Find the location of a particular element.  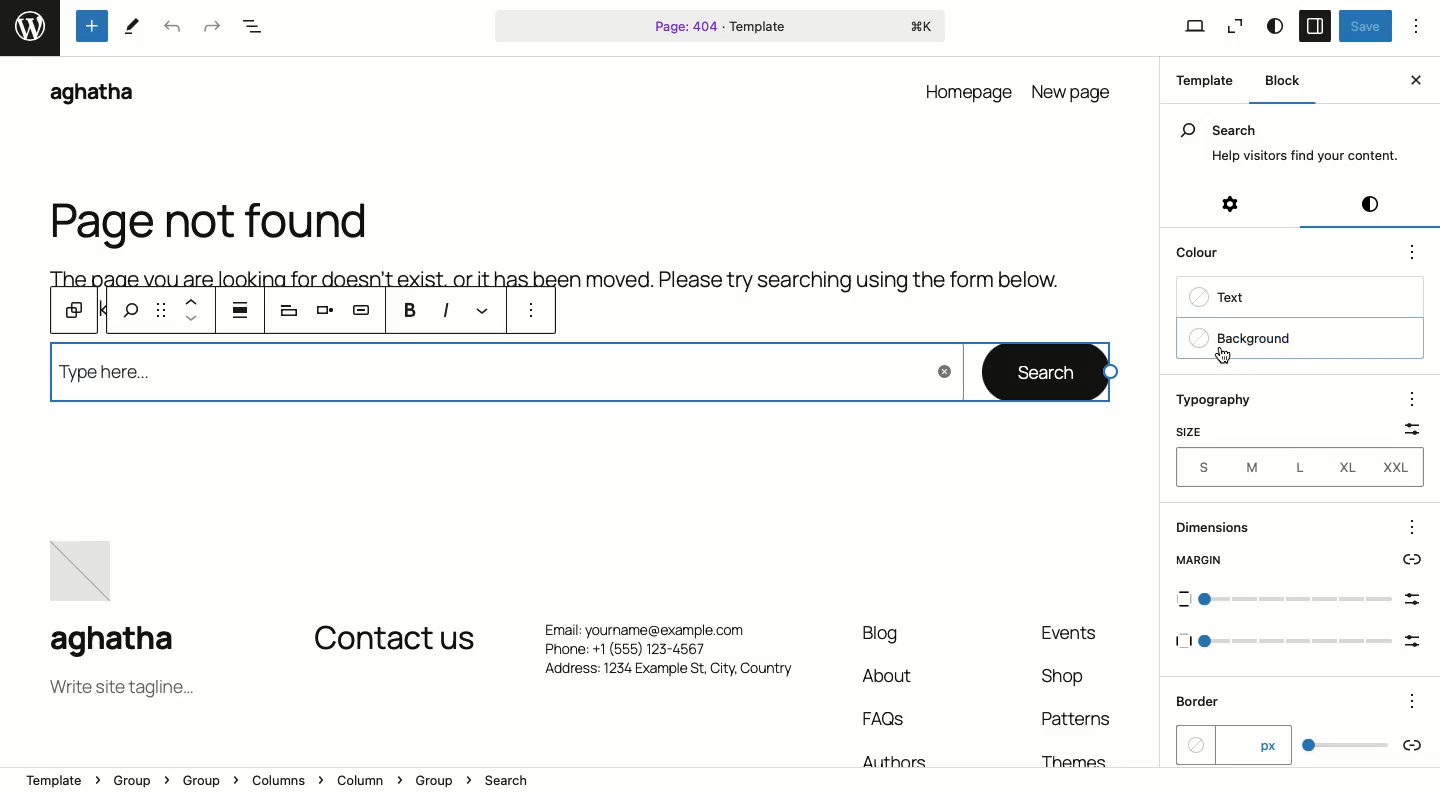

Scale is located at coordinates (1405, 430).